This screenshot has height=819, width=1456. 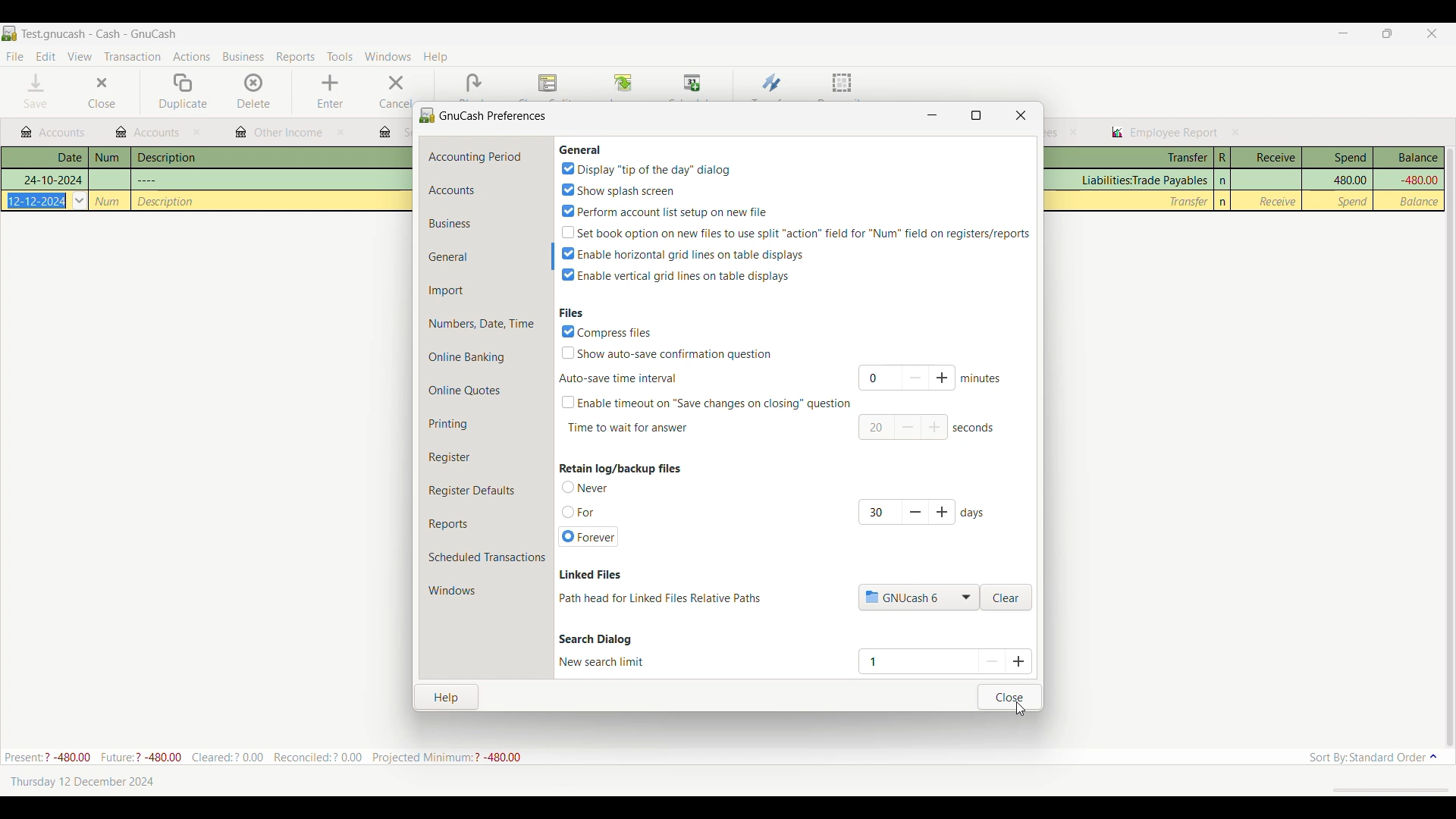 What do you see at coordinates (486, 357) in the screenshot?
I see `Online banking` at bounding box center [486, 357].